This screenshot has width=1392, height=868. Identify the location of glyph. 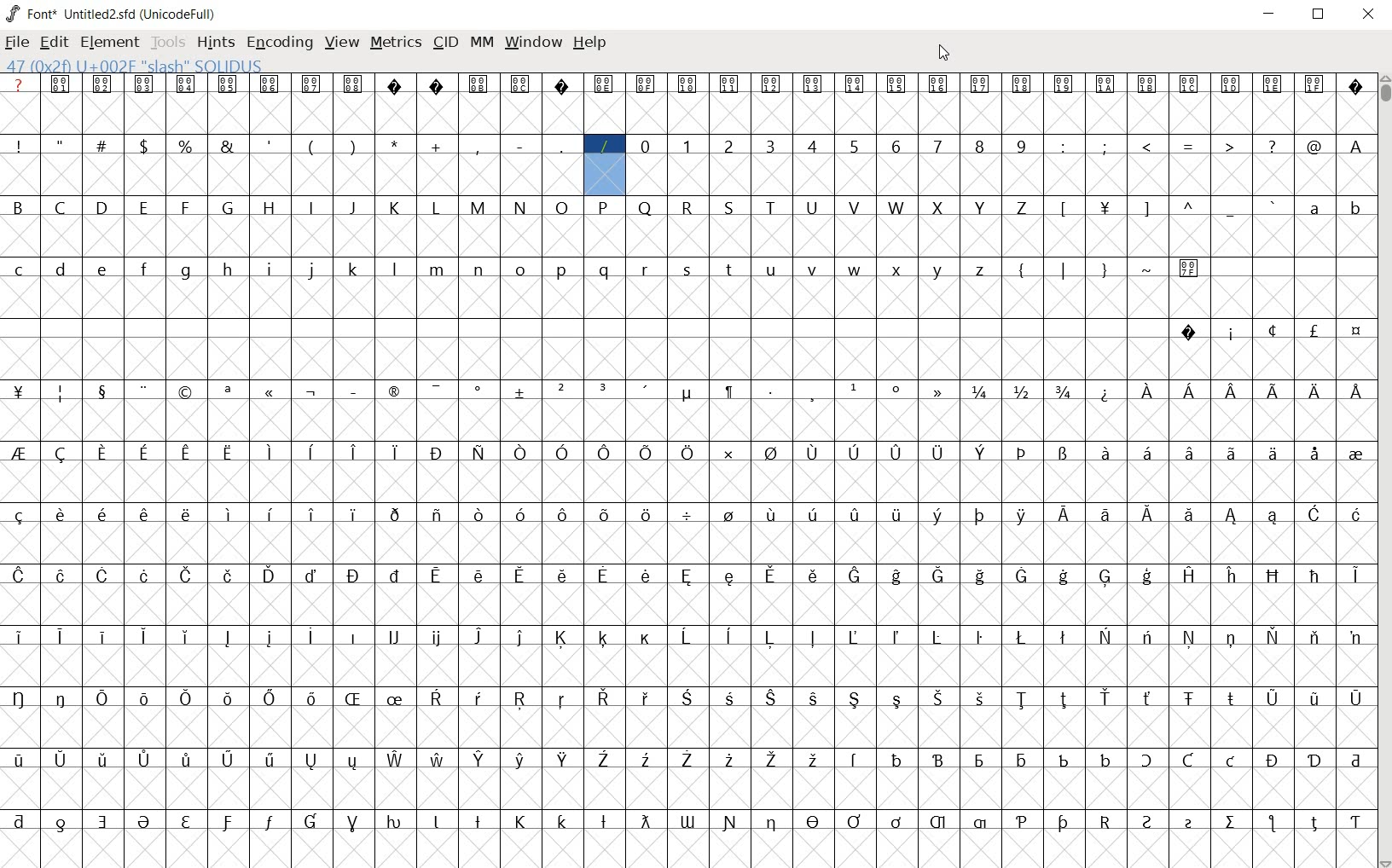
(896, 207).